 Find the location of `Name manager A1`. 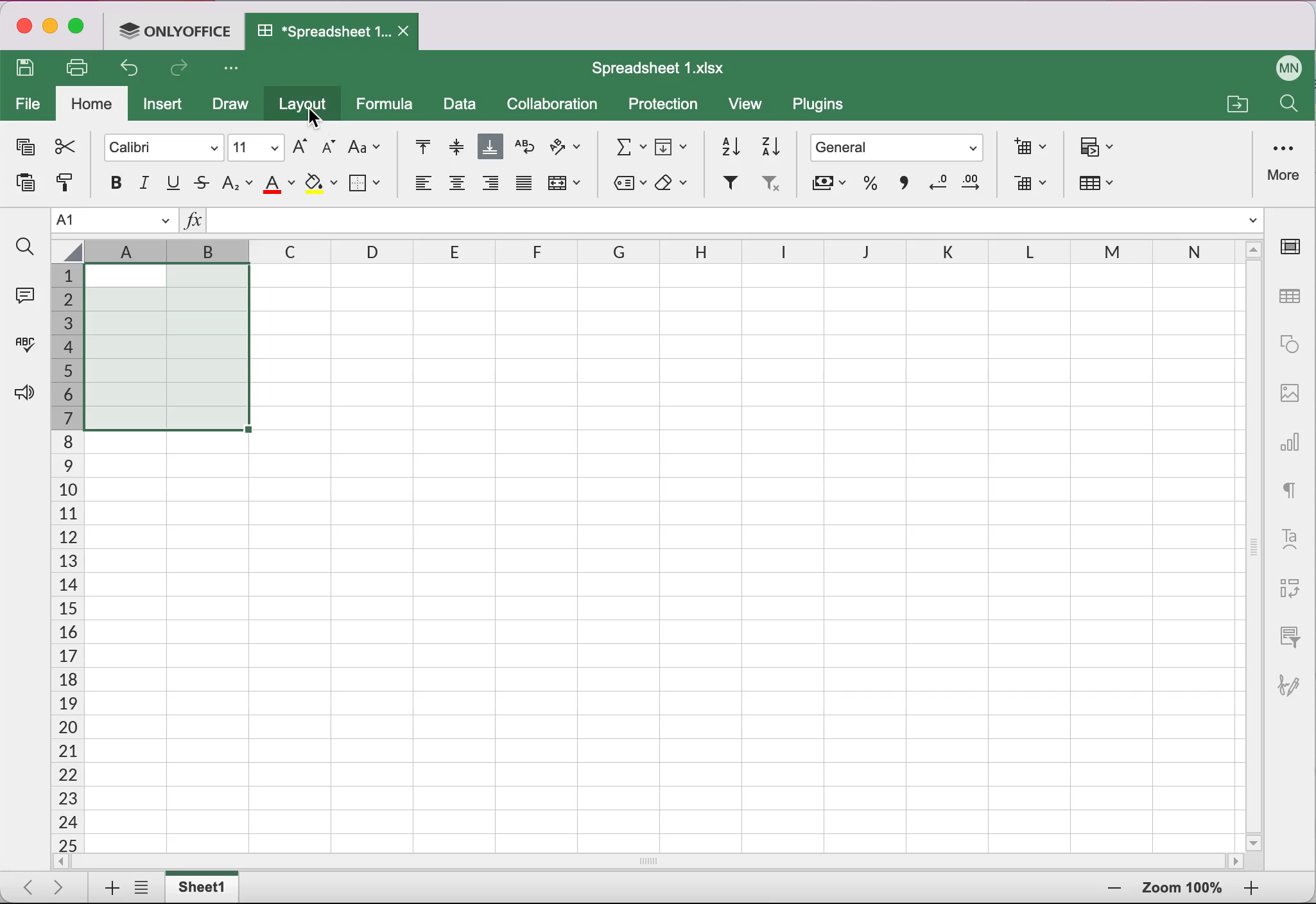

Name manager A1 is located at coordinates (114, 221).